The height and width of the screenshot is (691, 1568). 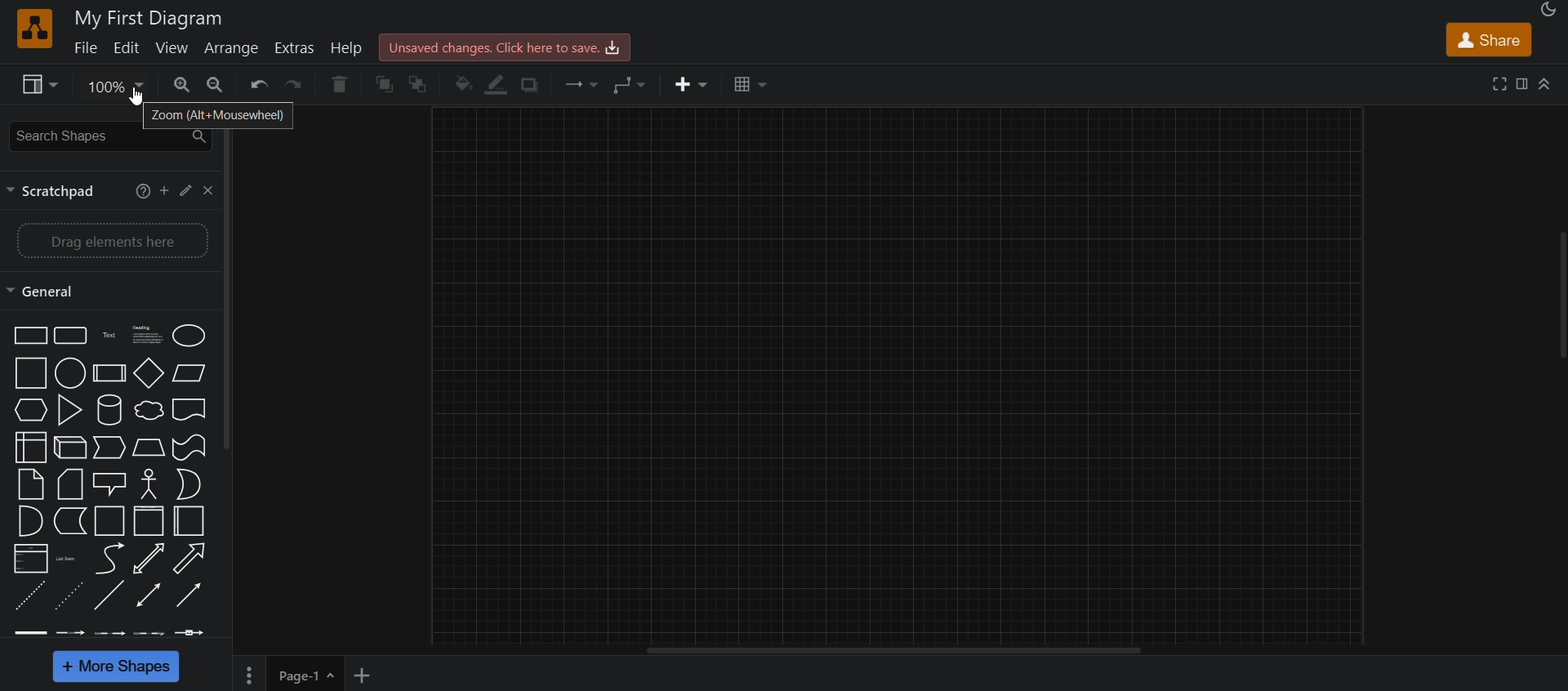 What do you see at coordinates (181, 86) in the screenshot?
I see `zoom in` at bounding box center [181, 86].